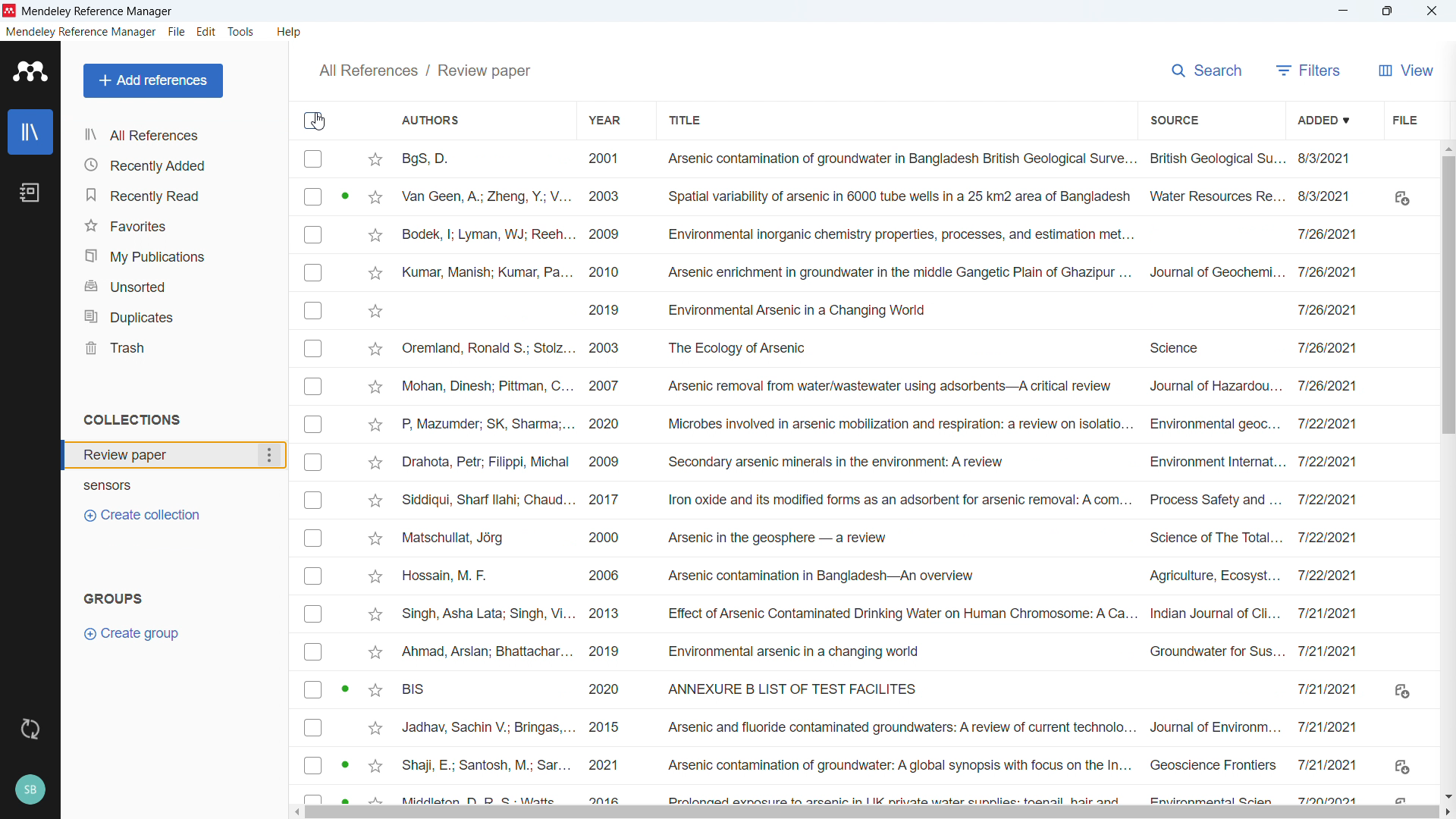 The image size is (1456, 819). What do you see at coordinates (347, 690) in the screenshot?
I see `Indicates current selection` at bounding box center [347, 690].